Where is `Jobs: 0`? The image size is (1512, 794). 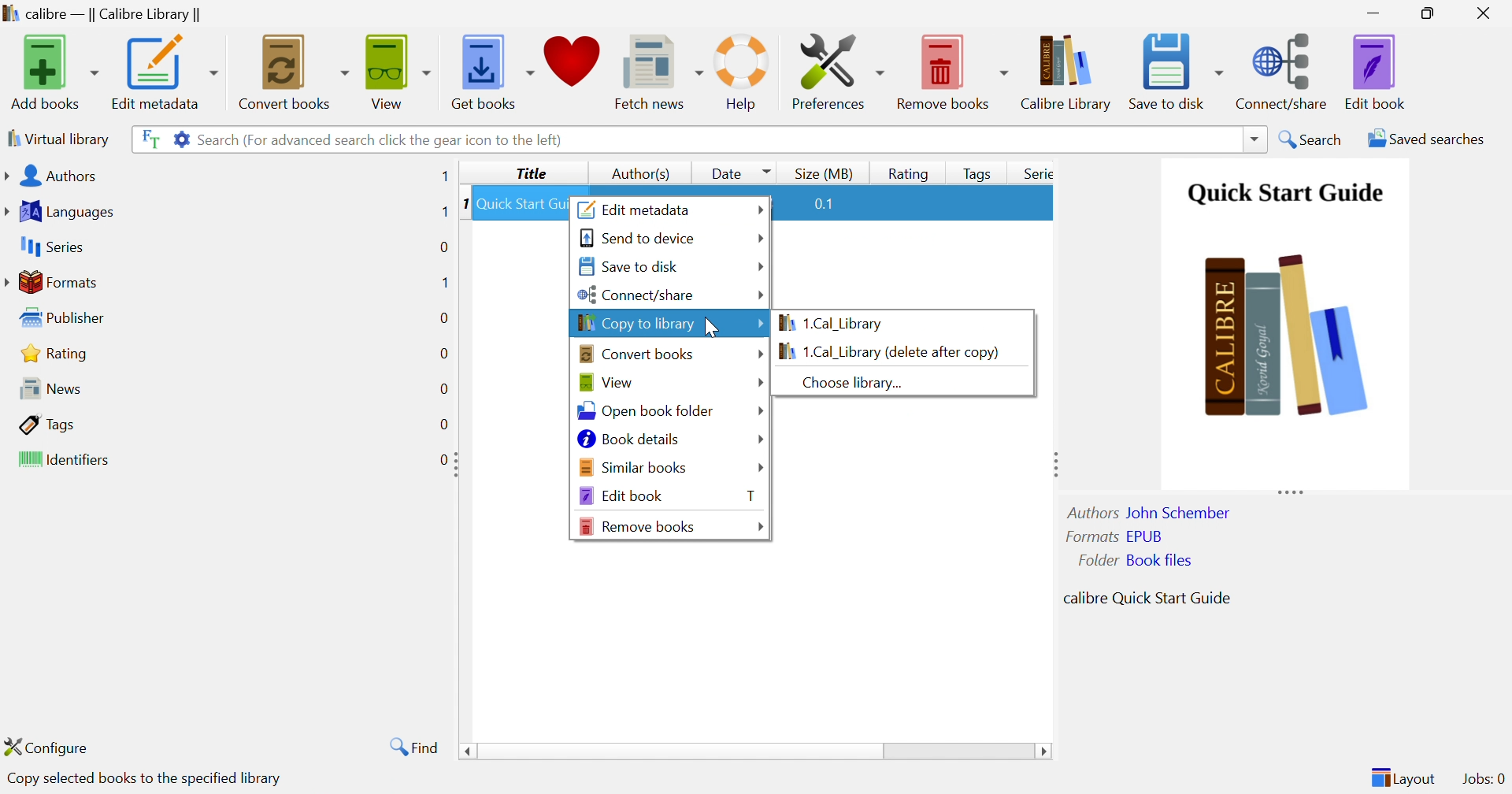 Jobs: 0 is located at coordinates (1482, 779).